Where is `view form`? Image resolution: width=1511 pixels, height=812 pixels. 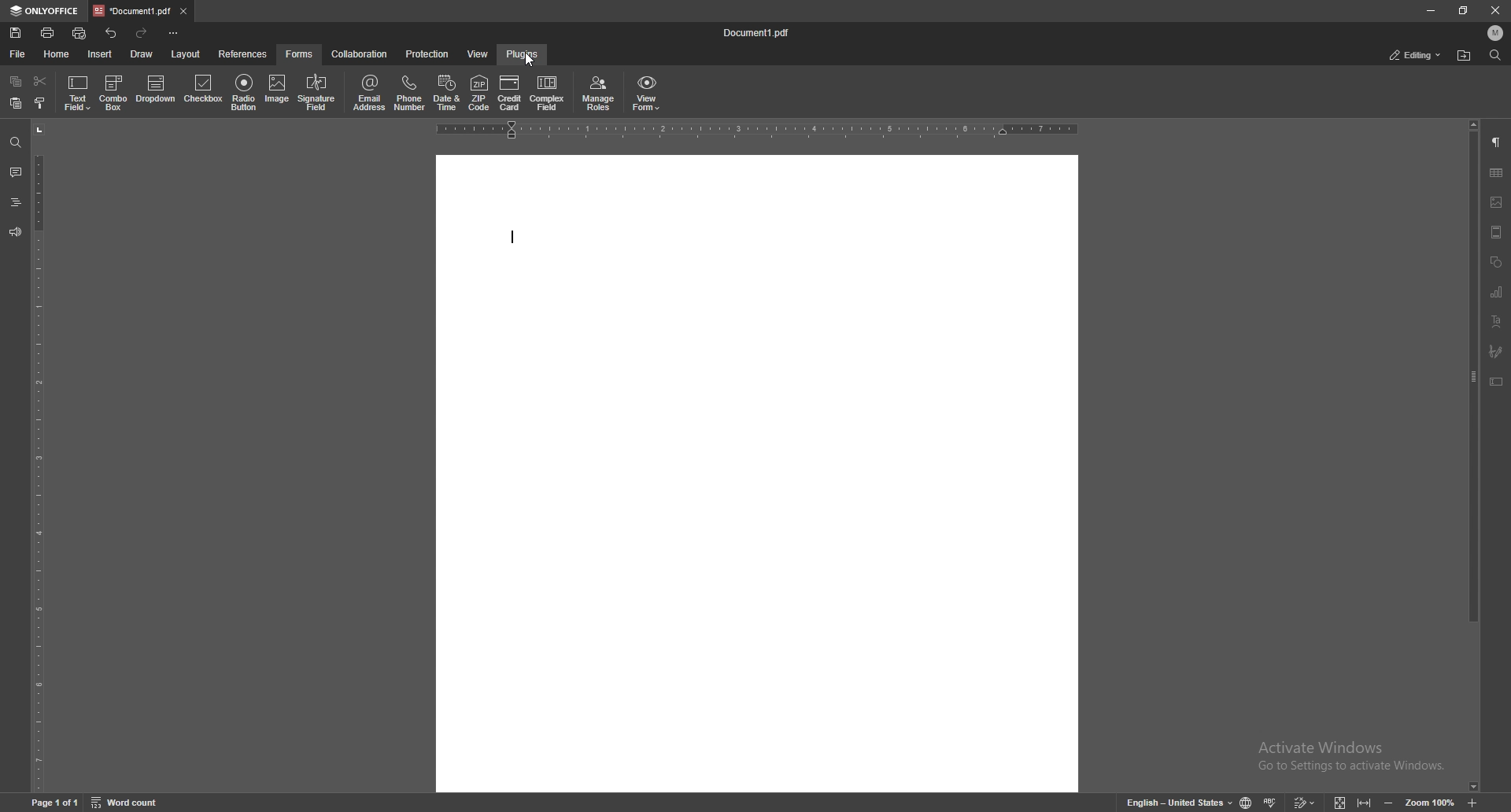 view form is located at coordinates (648, 94).